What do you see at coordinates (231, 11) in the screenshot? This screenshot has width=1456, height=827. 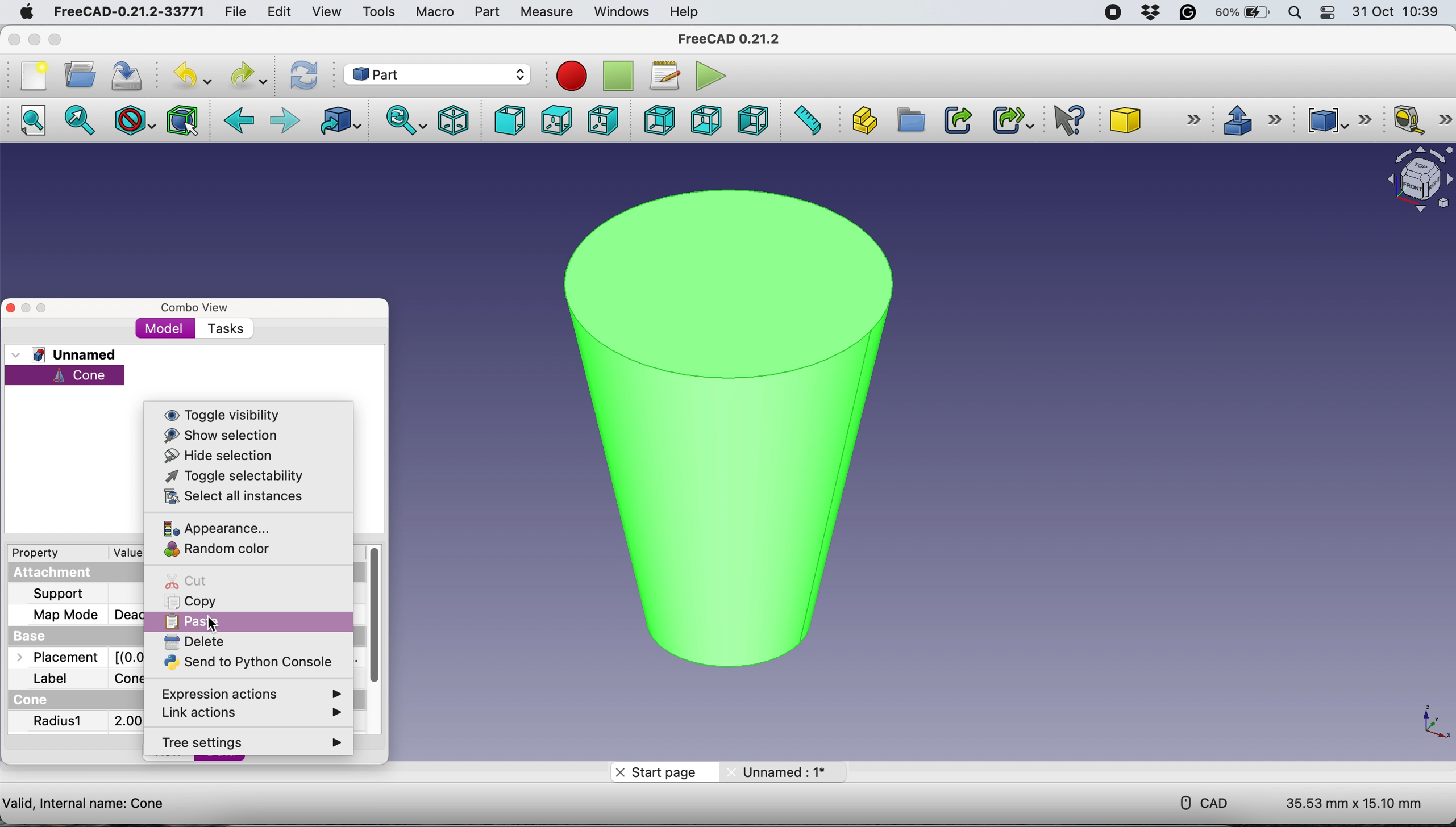 I see `file` at bounding box center [231, 11].